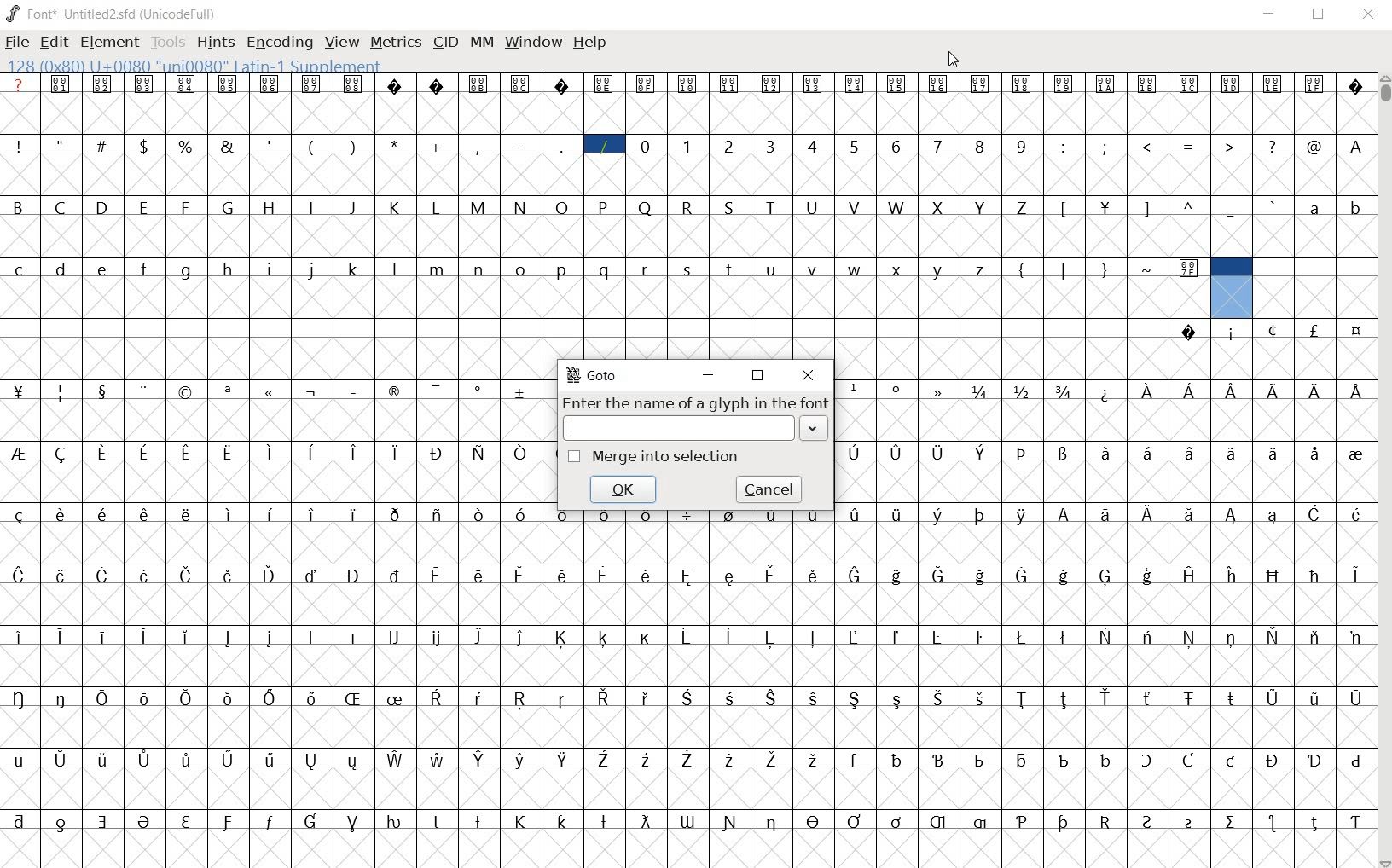  What do you see at coordinates (603, 638) in the screenshot?
I see `Symbol` at bounding box center [603, 638].